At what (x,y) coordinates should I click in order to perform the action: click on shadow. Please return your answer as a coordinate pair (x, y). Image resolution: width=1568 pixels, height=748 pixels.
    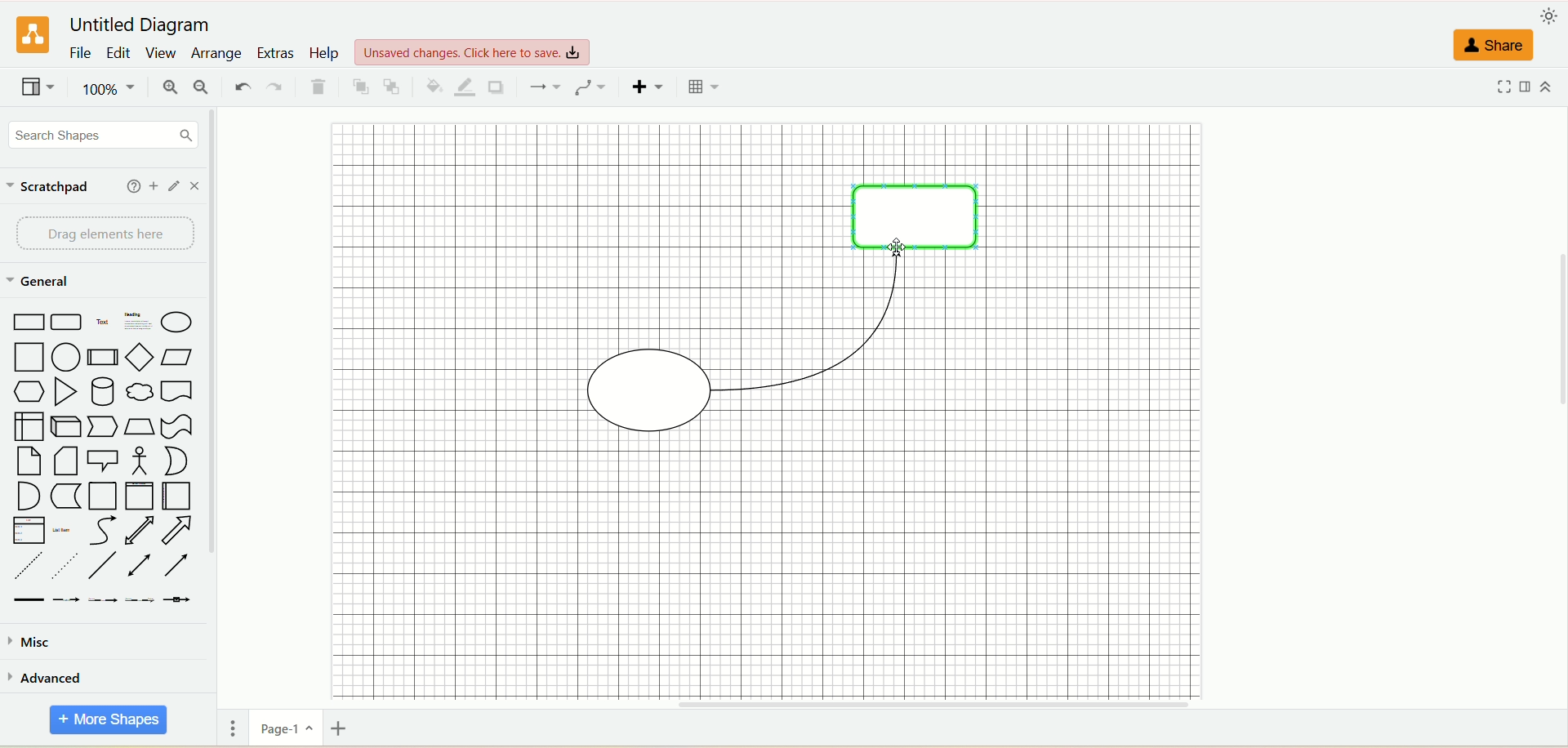
    Looking at the image, I should click on (498, 87).